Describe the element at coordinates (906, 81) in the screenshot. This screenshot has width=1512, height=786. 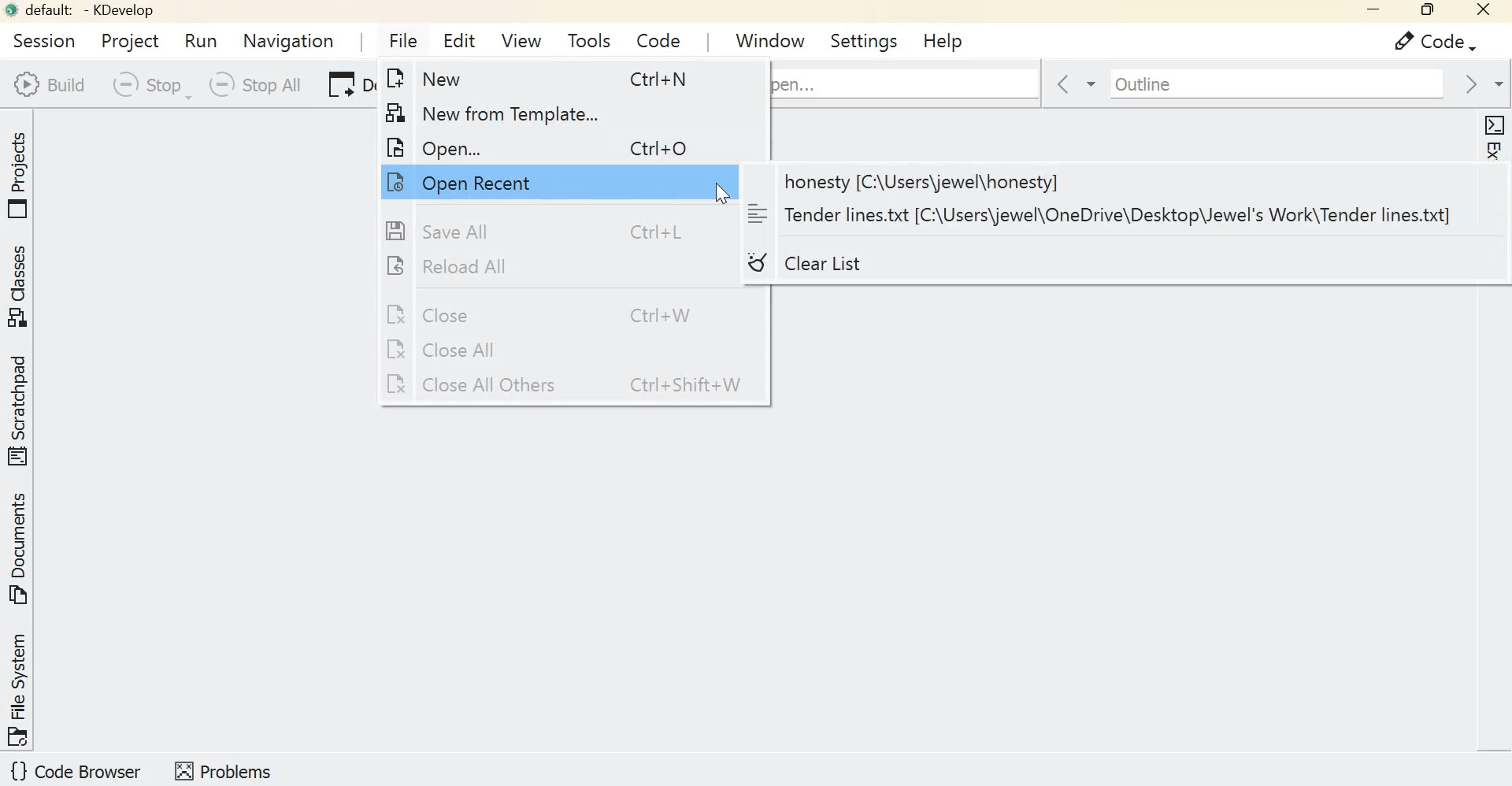
I see `Search for files, classes, functions and more, allowing you to quickly navigate in your source code` at that location.